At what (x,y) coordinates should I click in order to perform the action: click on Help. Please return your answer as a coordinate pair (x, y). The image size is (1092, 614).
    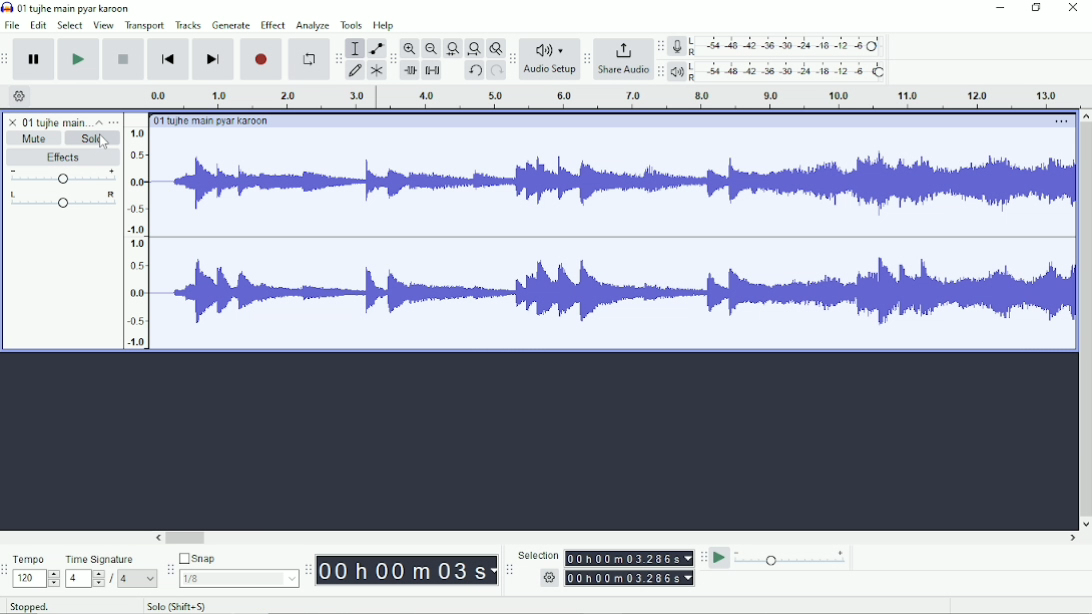
    Looking at the image, I should click on (383, 25).